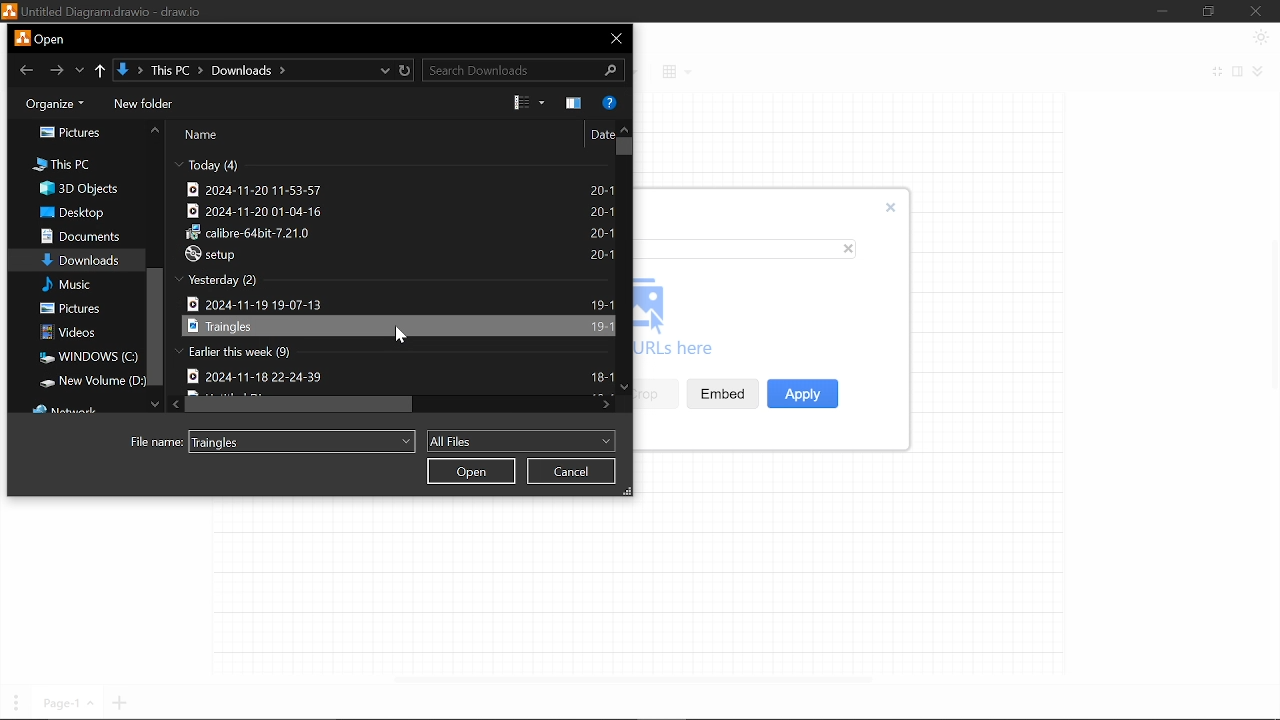  What do you see at coordinates (523, 73) in the screenshot?
I see `search Downloads` at bounding box center [523, 73].